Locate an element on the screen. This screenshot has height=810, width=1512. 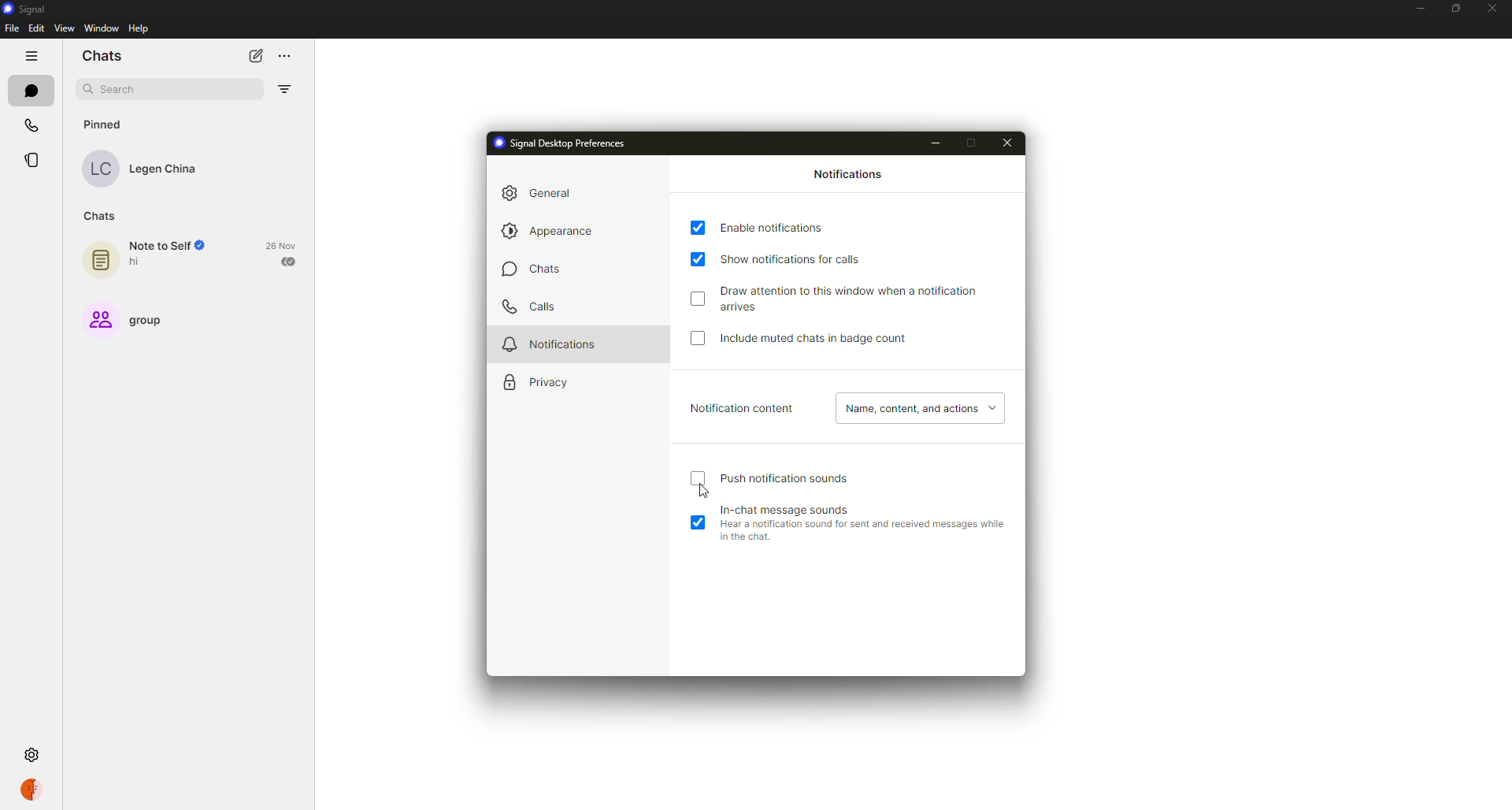
stories is located at coordinates (39, 160).